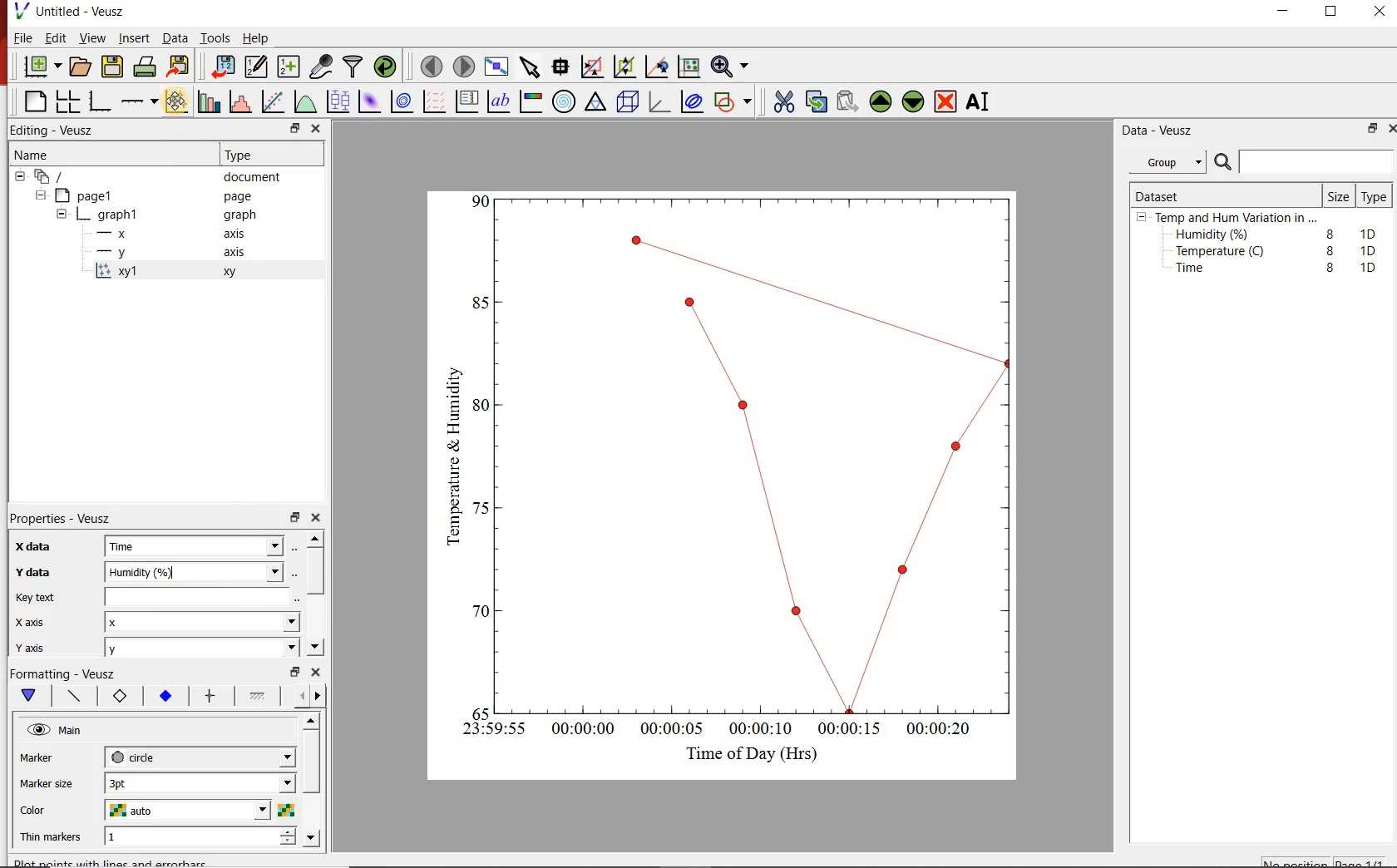 The width and height of the screenshot is (1397, 868). I want to click on plot bar charts, so click(210, 99).